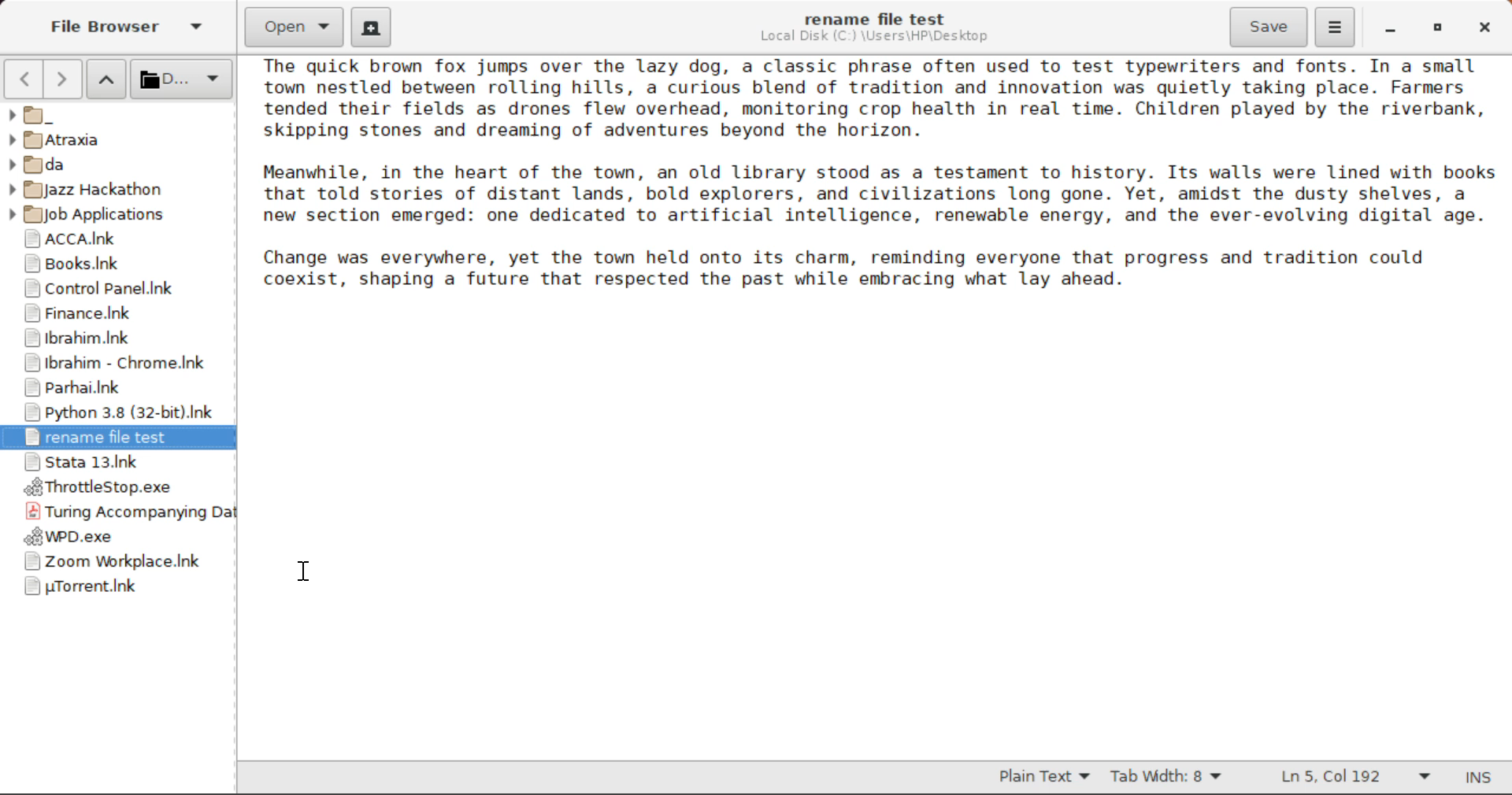 The height and width of the screenshot is (795, 1512). What do you see at coordinates (114, 366) in the screenshot?
I see `Ibrahim - Chrome Shortcut Link` at bounding box center [114, 366].